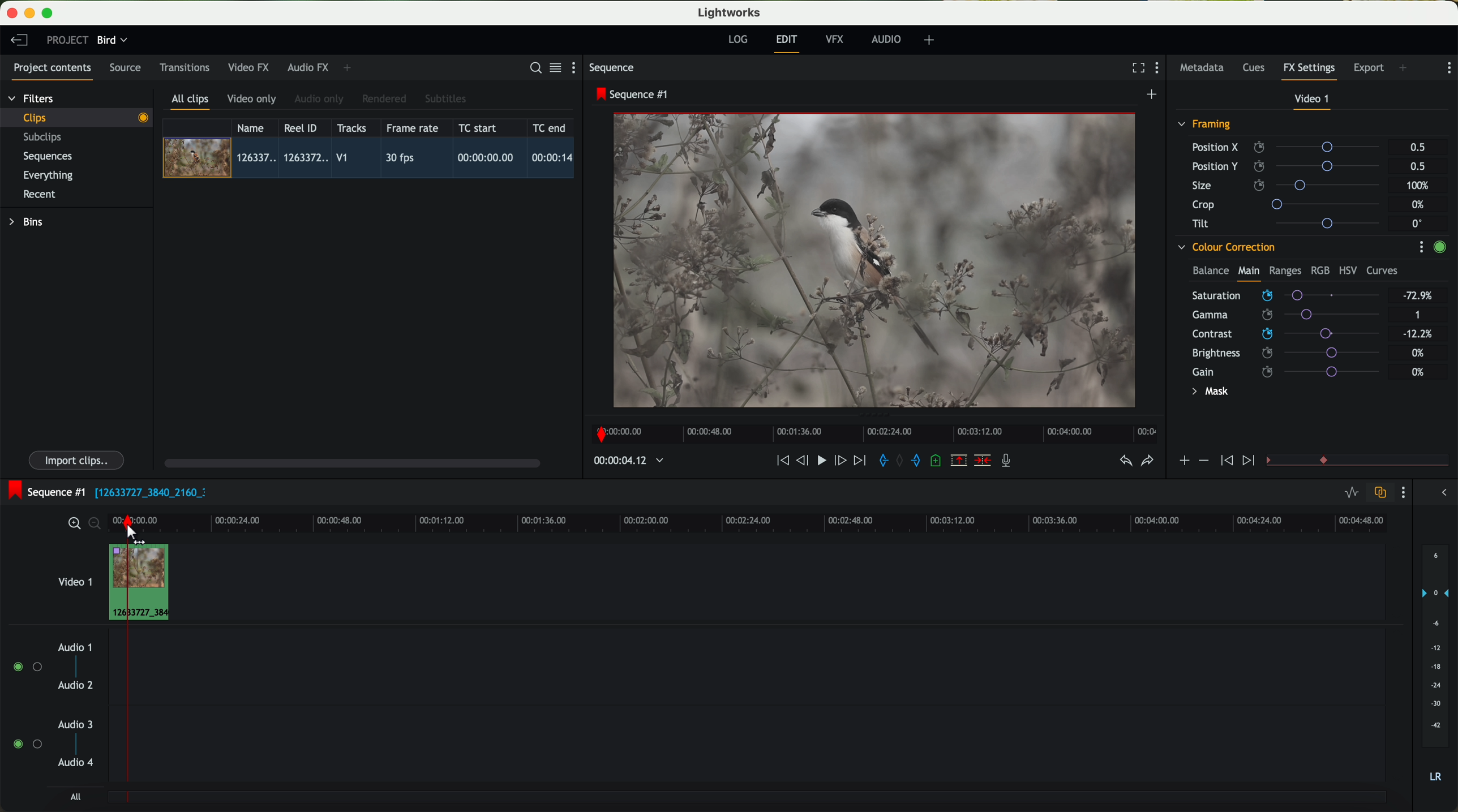  I want to click on VFX, so click(837, 40).